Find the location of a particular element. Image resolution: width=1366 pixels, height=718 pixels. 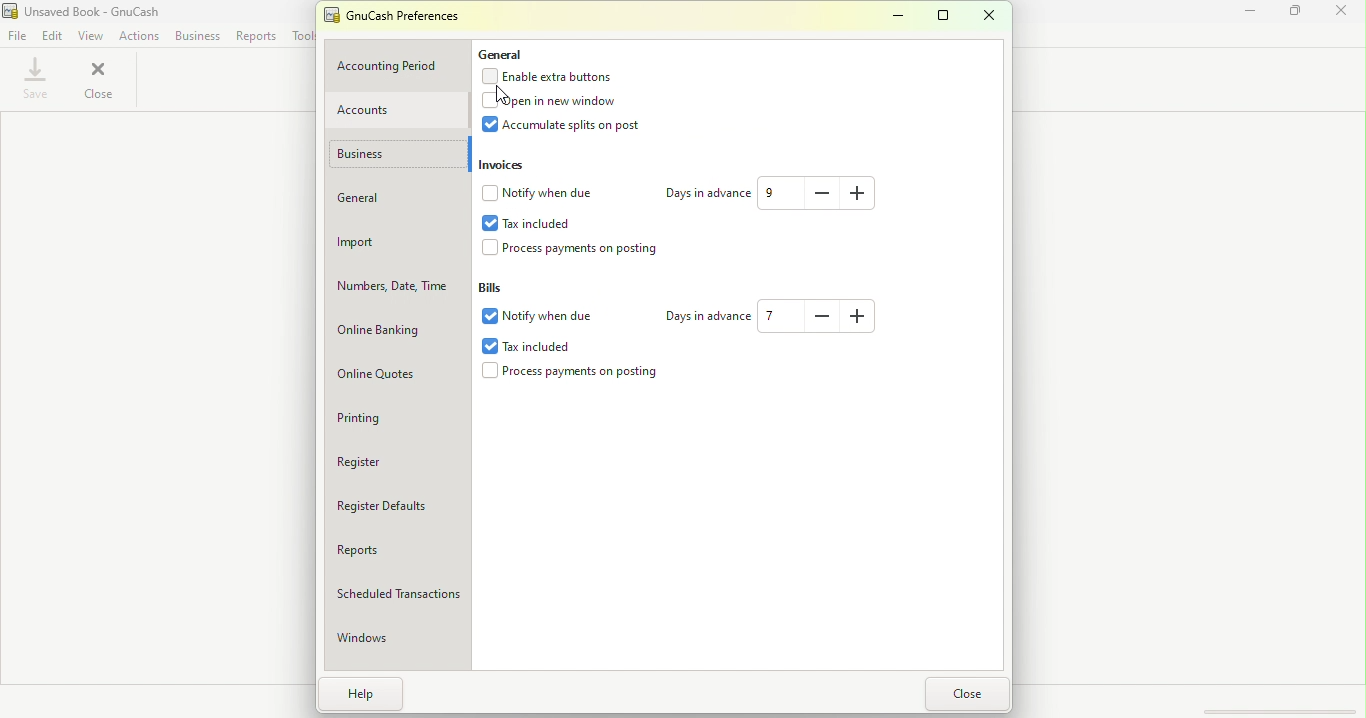

Maximize is located at coordinates (1298, 14).